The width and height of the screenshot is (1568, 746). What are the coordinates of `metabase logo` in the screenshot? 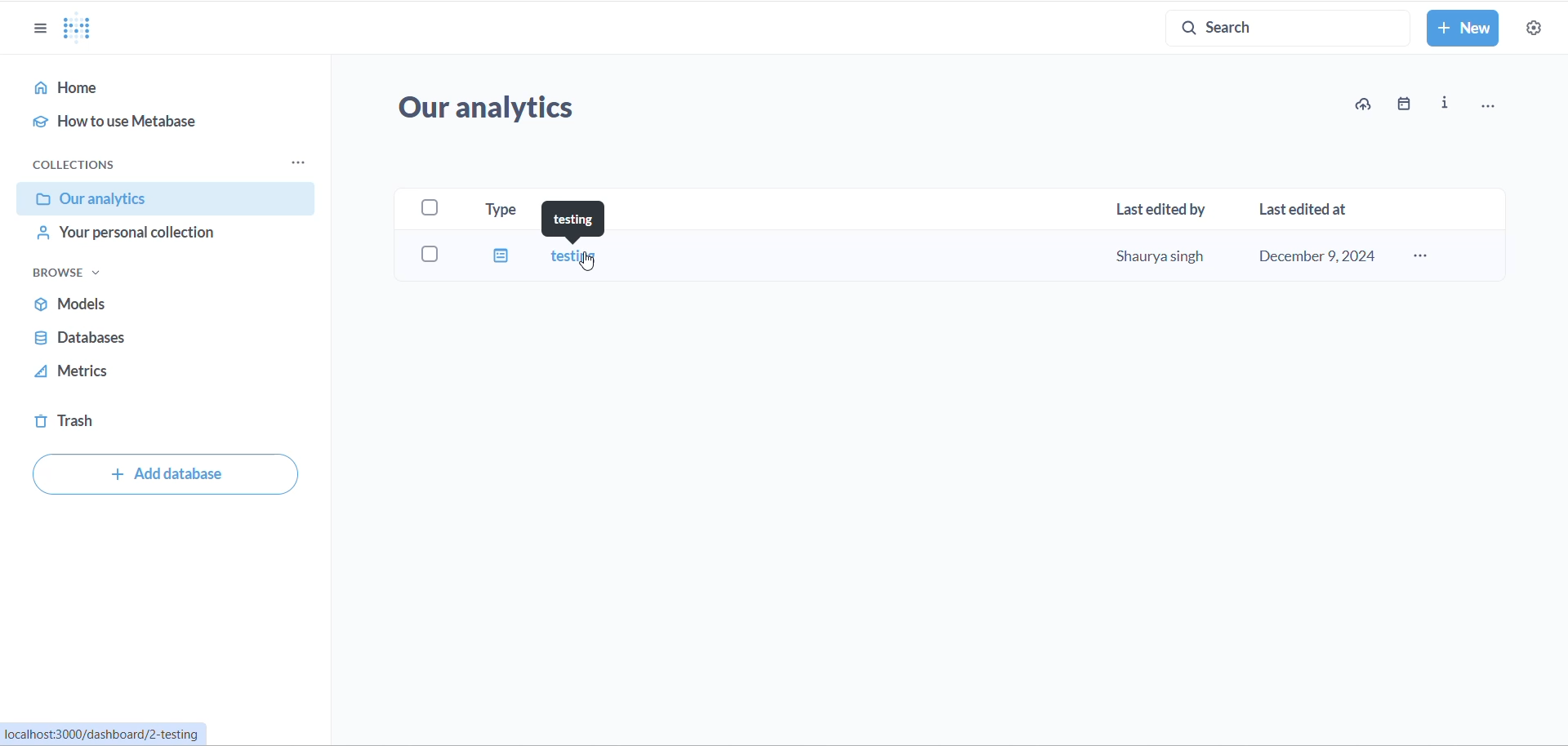 It's located at (77, 28).